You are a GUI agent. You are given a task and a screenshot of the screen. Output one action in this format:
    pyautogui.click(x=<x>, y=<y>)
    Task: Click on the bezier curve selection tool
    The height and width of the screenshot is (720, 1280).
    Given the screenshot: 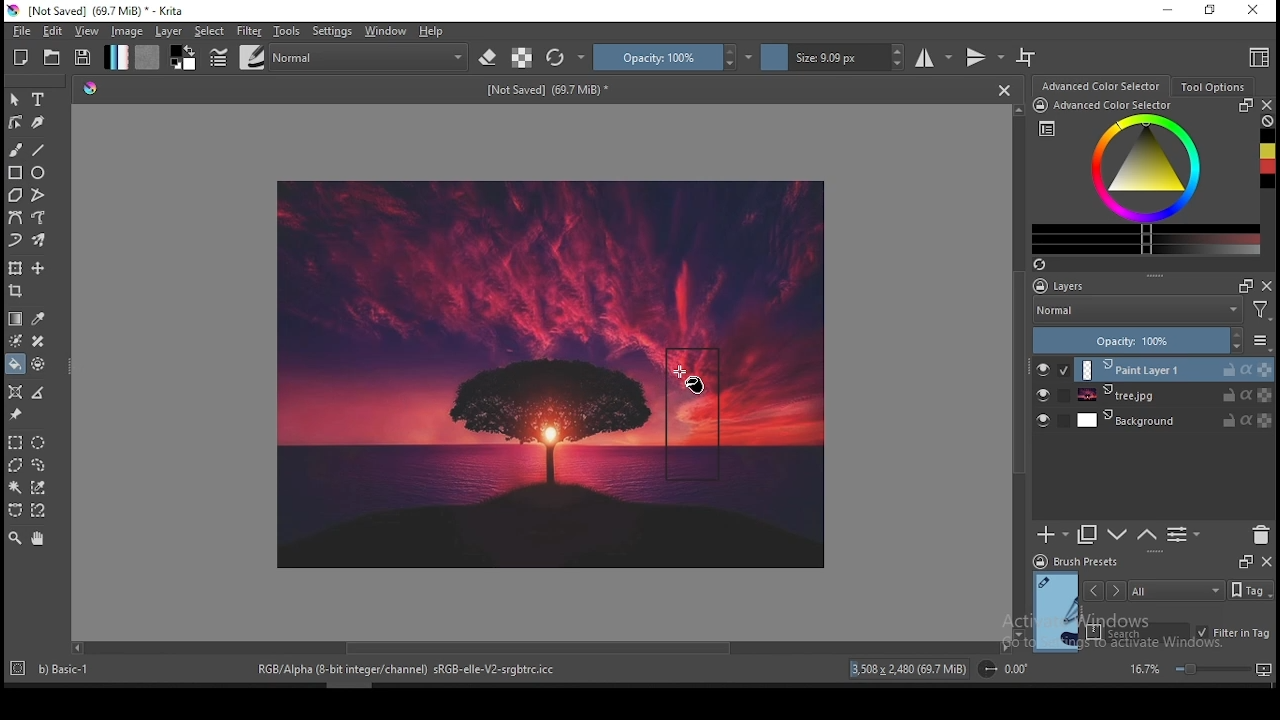 What is the action you would take?
    pyautogui.click(x=13, y=511)
    